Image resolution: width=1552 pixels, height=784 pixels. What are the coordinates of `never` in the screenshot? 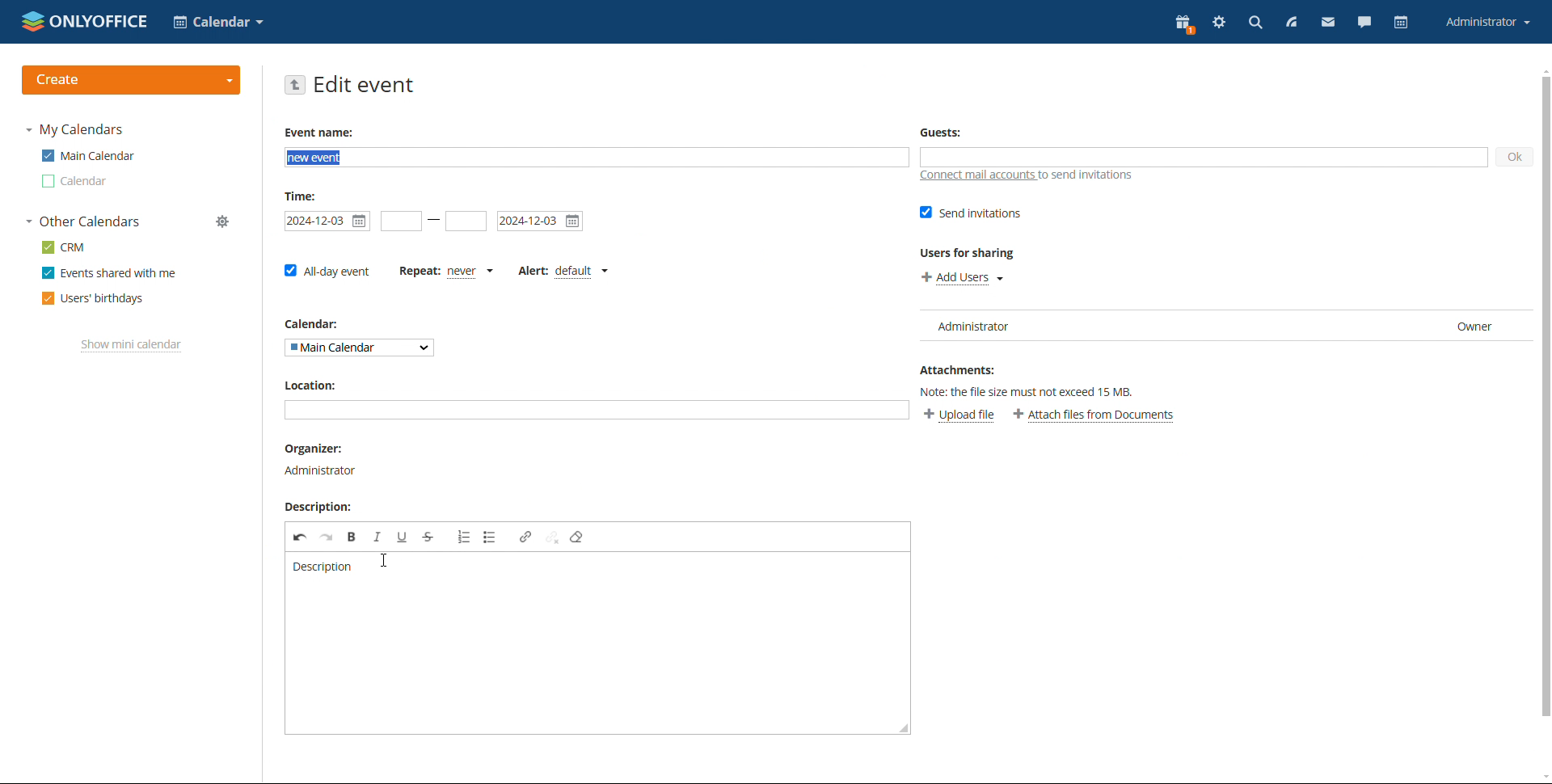 It's located at (474, 271).